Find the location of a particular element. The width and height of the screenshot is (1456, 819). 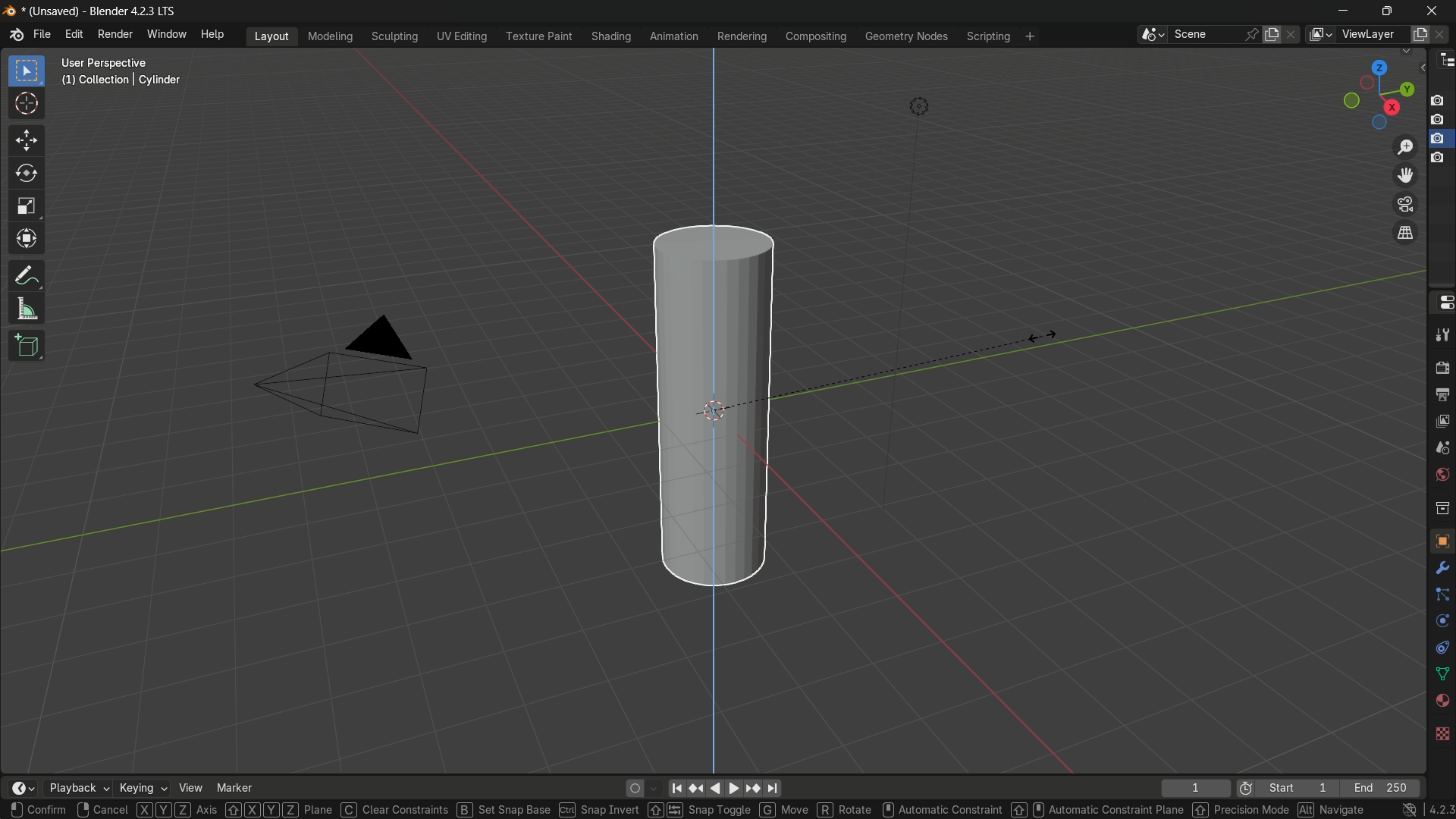

rotate is located at coordinates (27, 175).